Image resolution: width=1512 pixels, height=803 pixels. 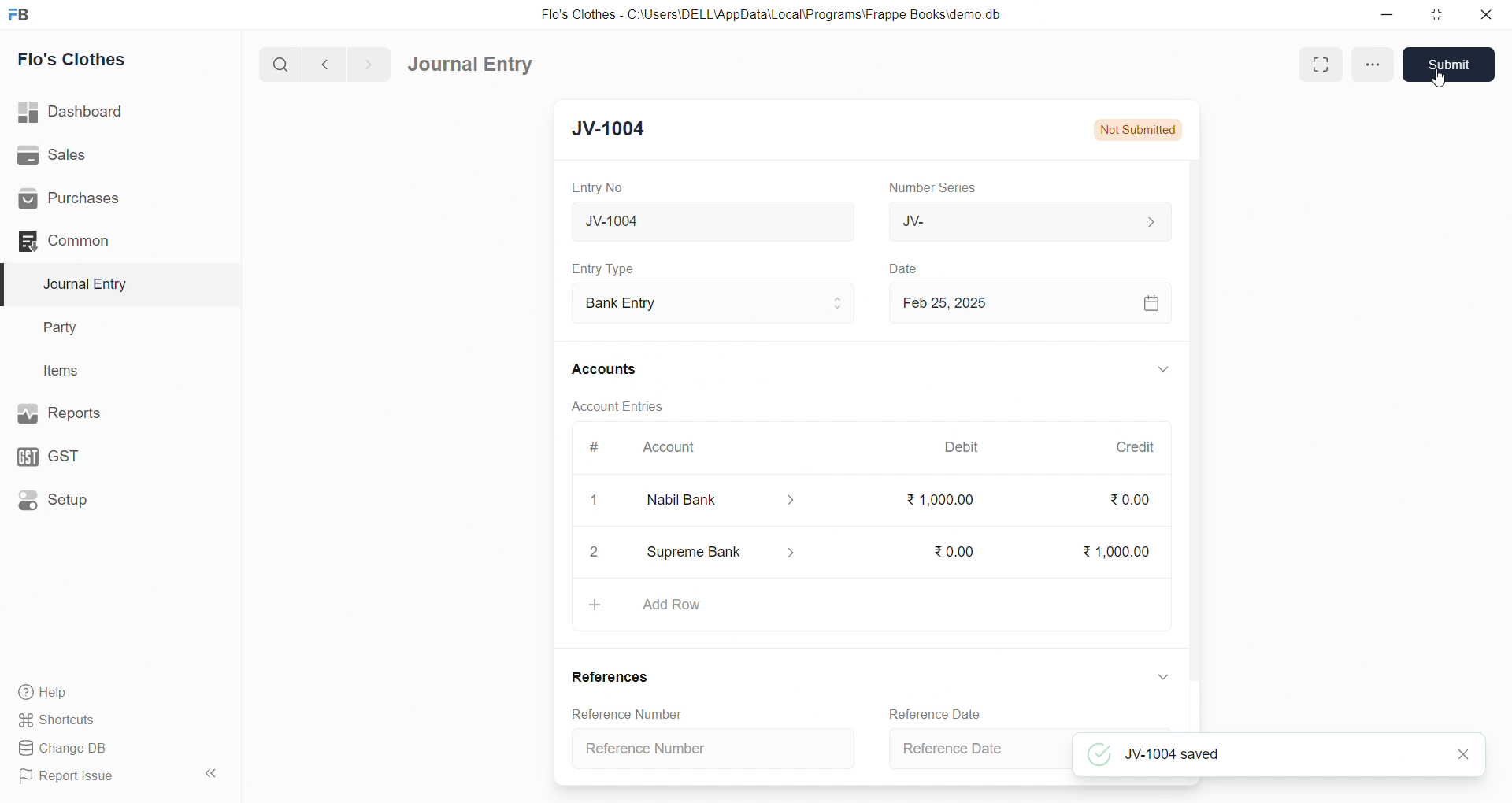 What do you see at coordinates (1449, 65) in the screenshot?
I see `Save` at bounding box center [1449, 65].